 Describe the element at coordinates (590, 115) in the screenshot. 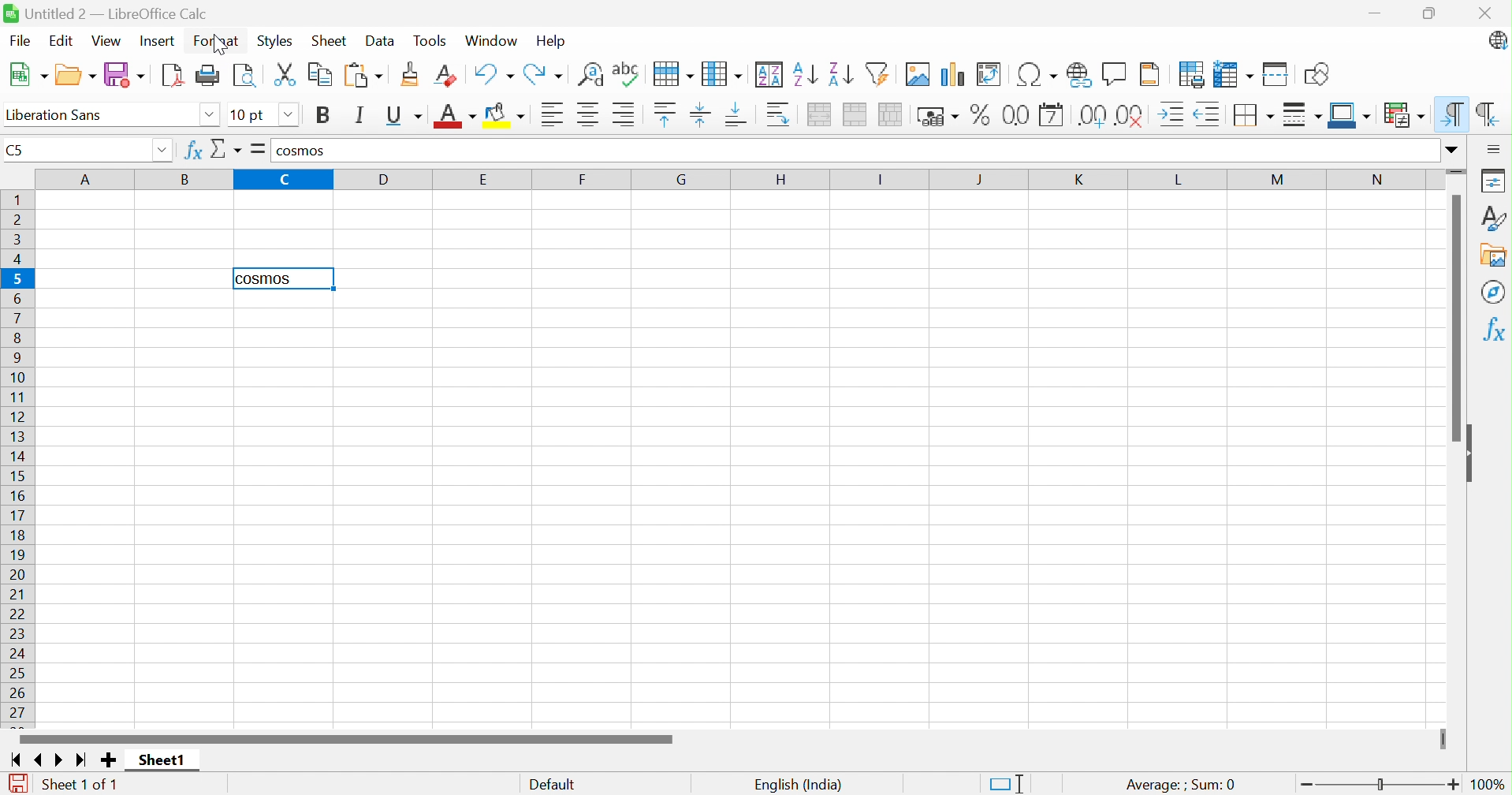

I see `Align center` at that location.